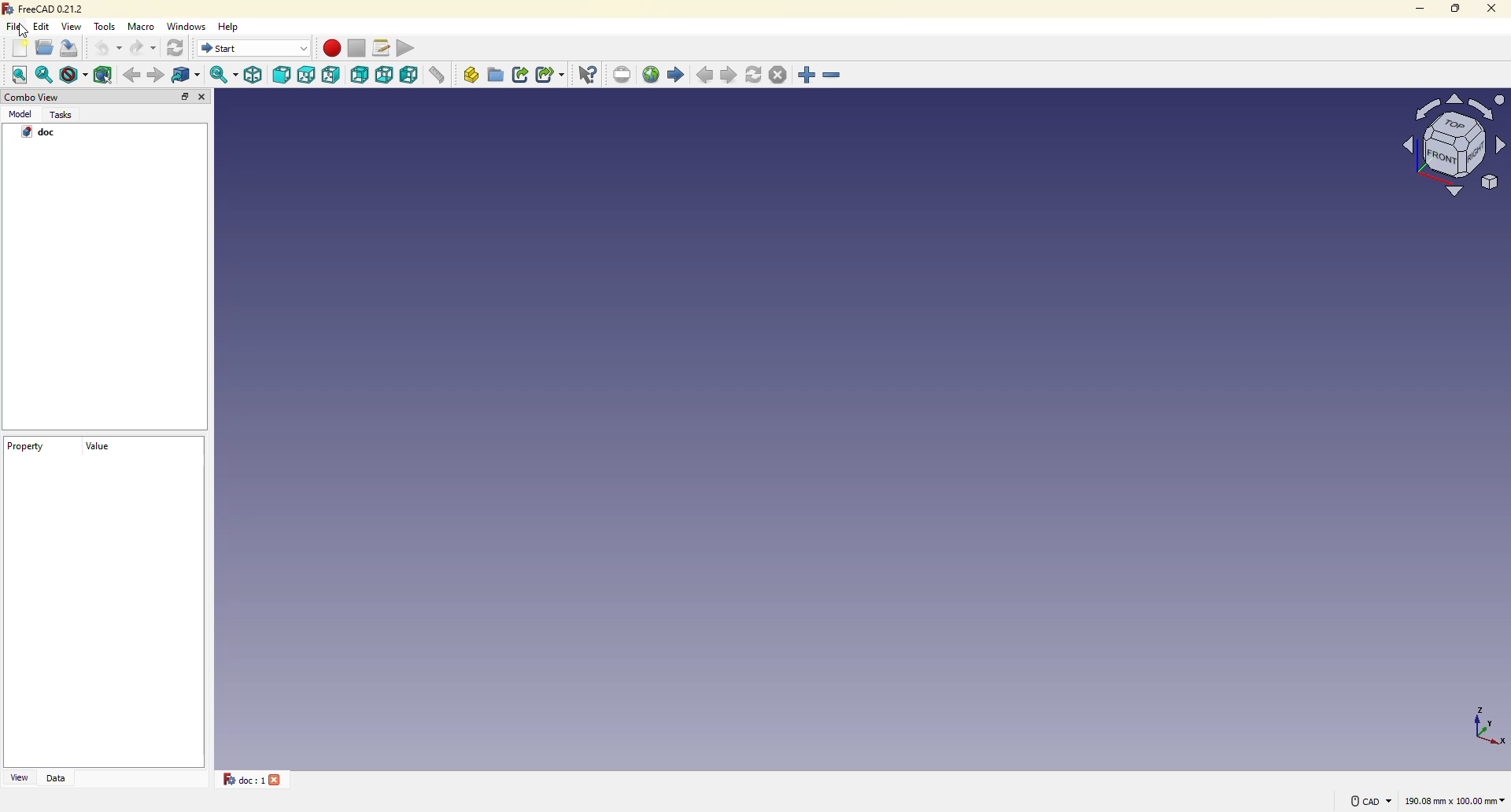  Describe the element at coordinates (18, 777) in the screenshot. I see `view` at that location.